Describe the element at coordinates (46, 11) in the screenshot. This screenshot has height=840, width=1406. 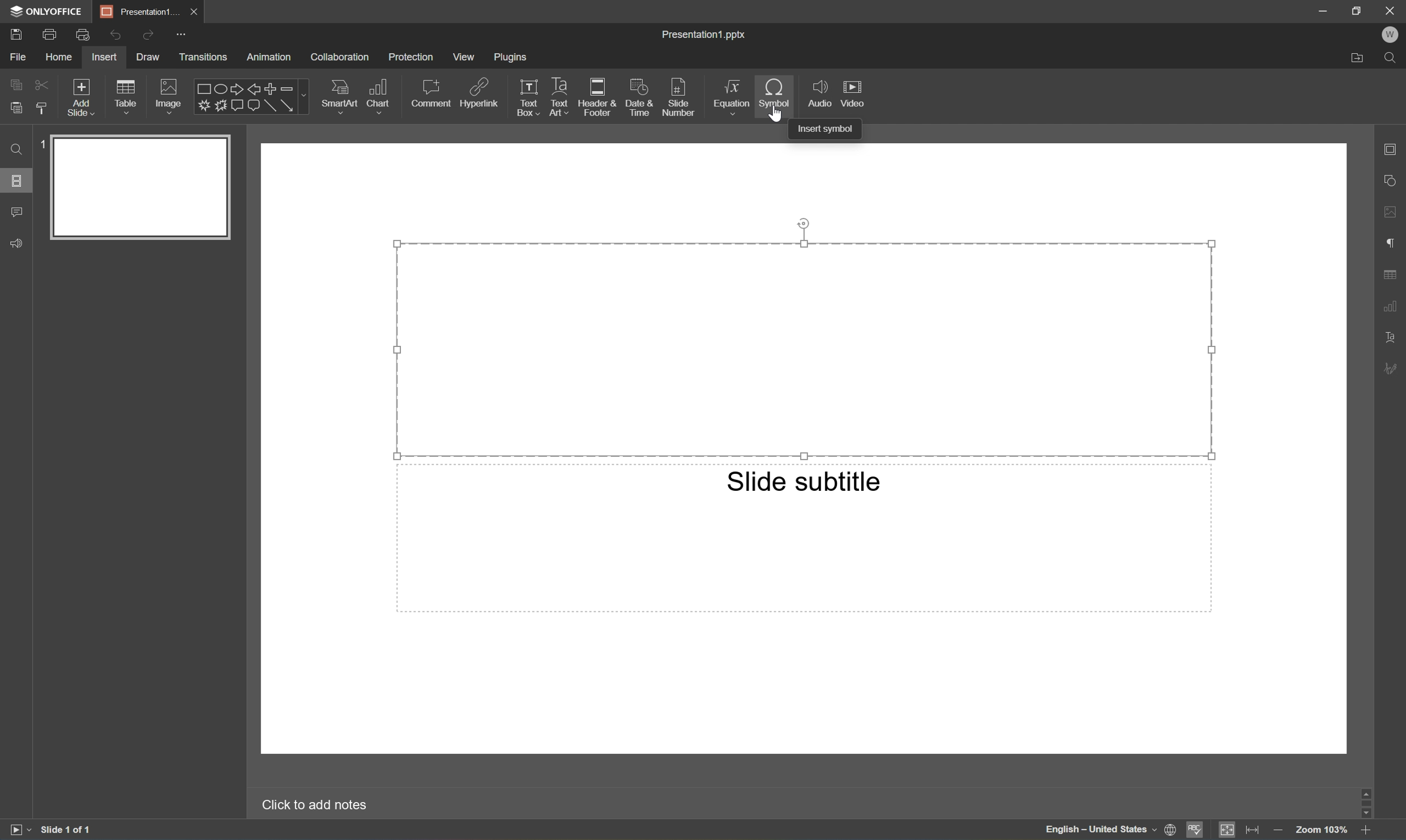
I see `ONLYOFFICE` at that location.